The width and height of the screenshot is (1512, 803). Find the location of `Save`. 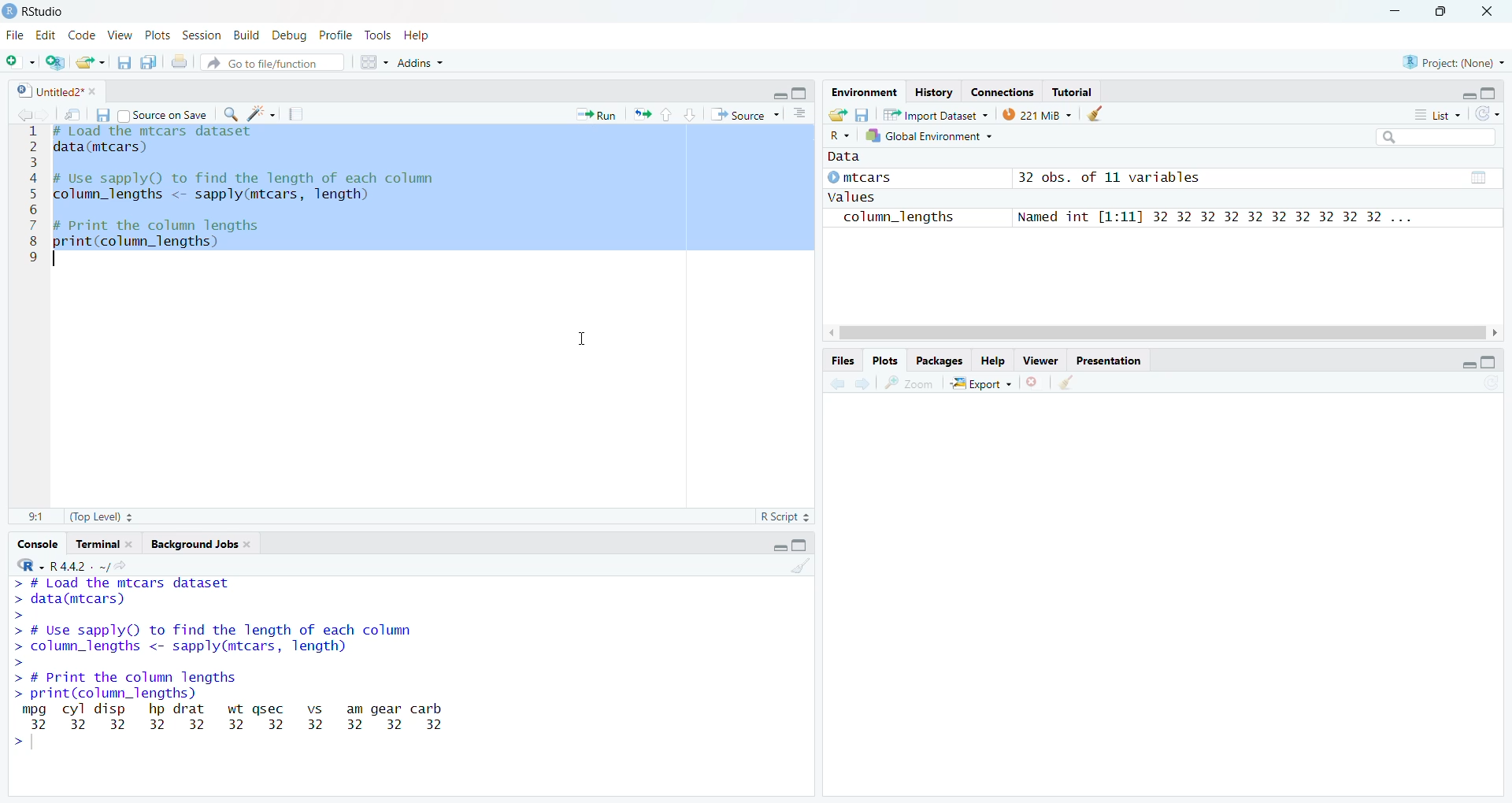

Save is located at coordinates (863, 114).